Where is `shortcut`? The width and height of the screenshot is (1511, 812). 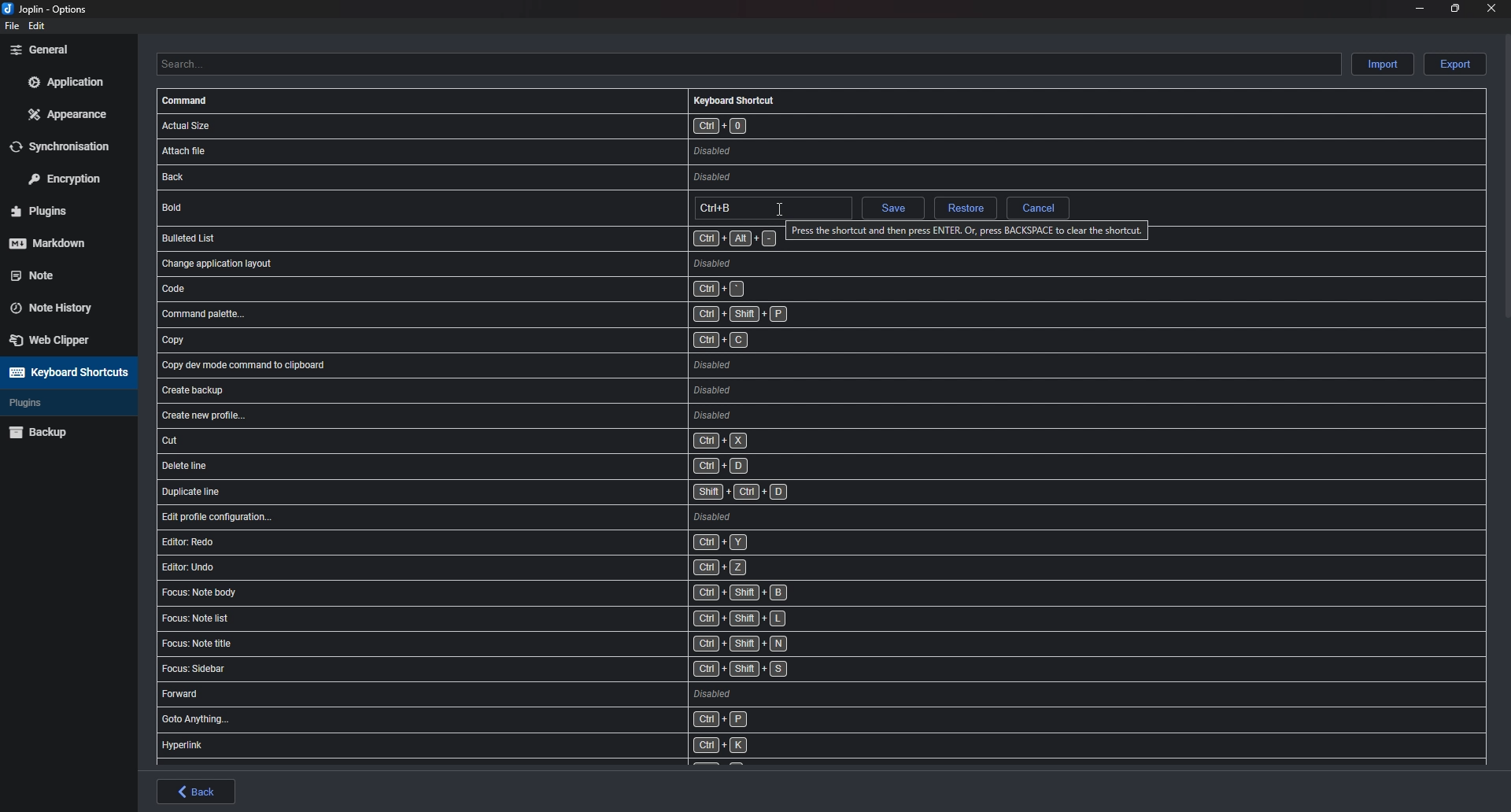 shortcut is located at coordinates (510, 745).